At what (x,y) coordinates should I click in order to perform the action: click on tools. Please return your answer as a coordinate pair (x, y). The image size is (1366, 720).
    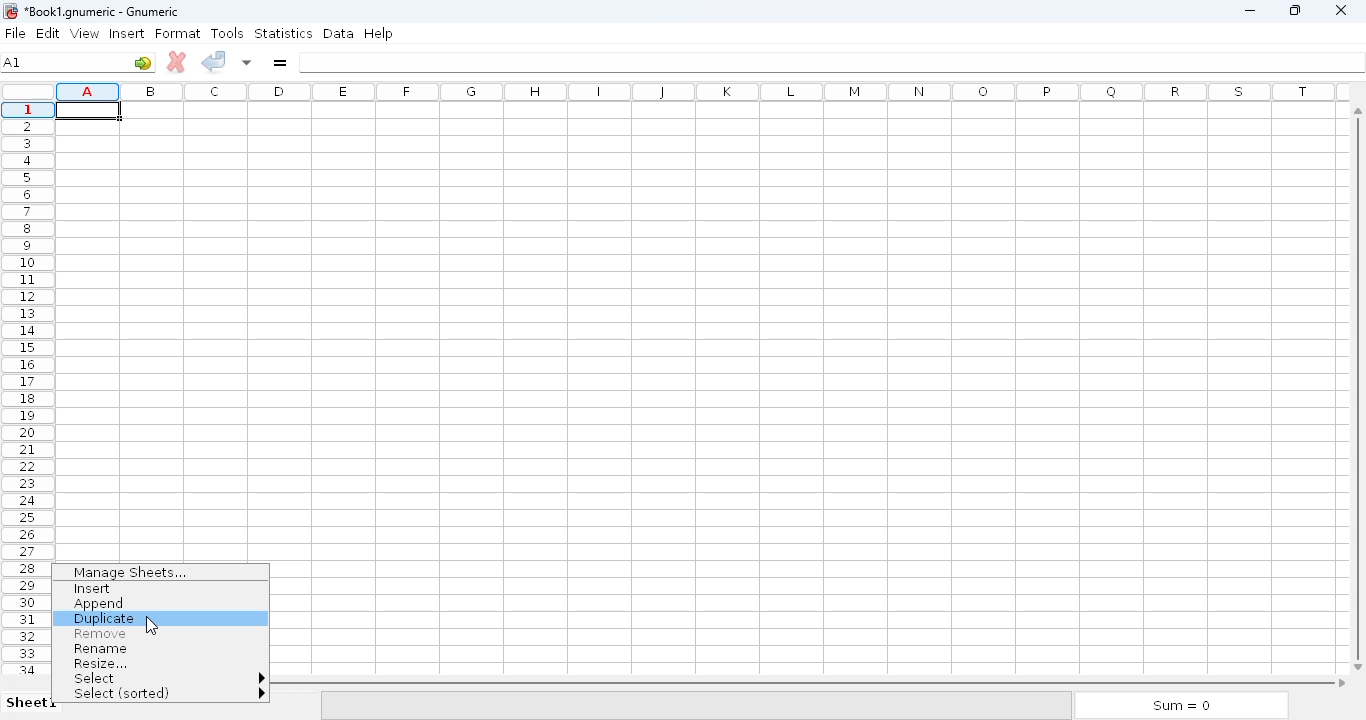
    Looking at the image, I should click on (228, 33).